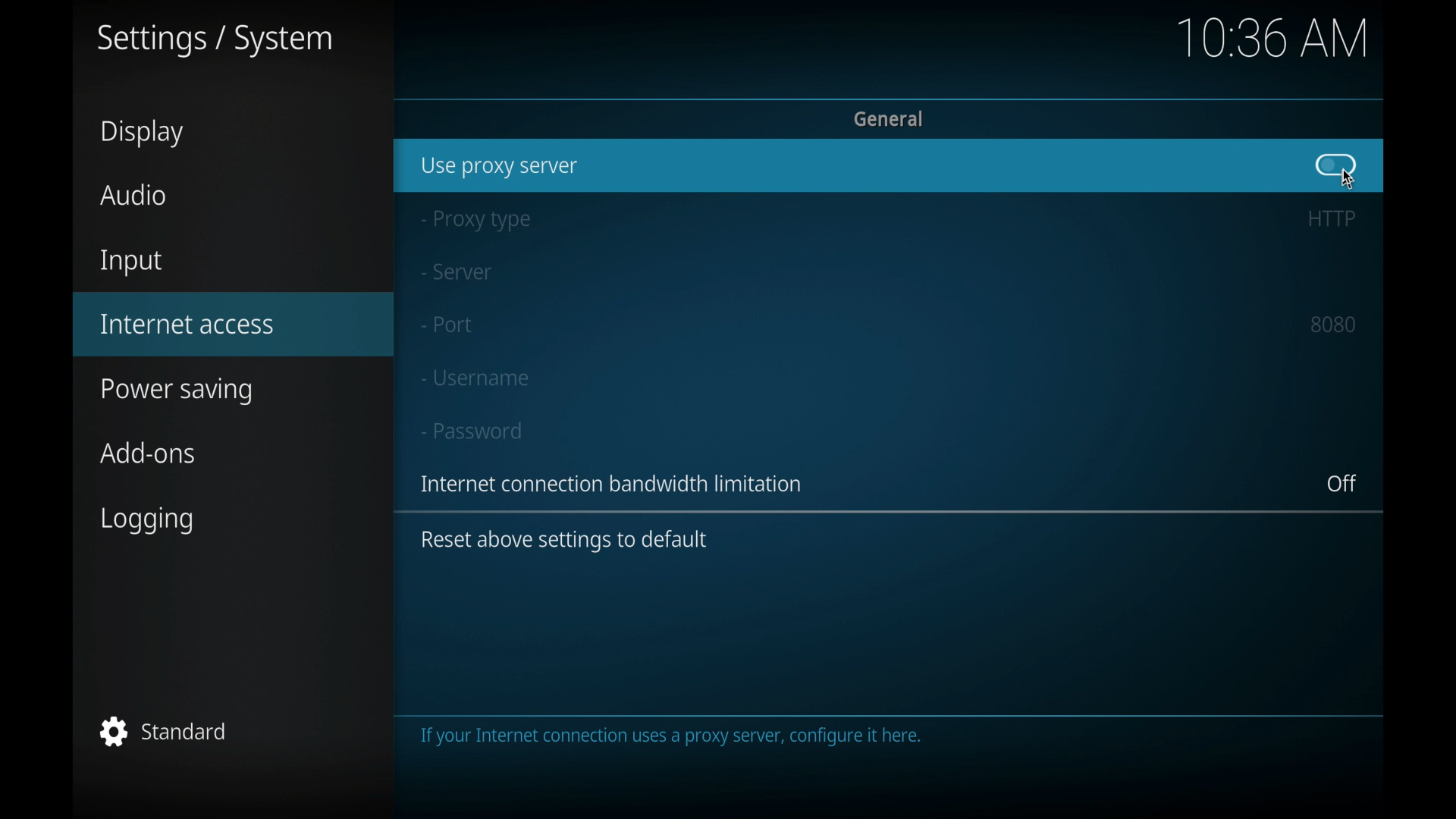  I want to click on internet access, so click(188, 325).